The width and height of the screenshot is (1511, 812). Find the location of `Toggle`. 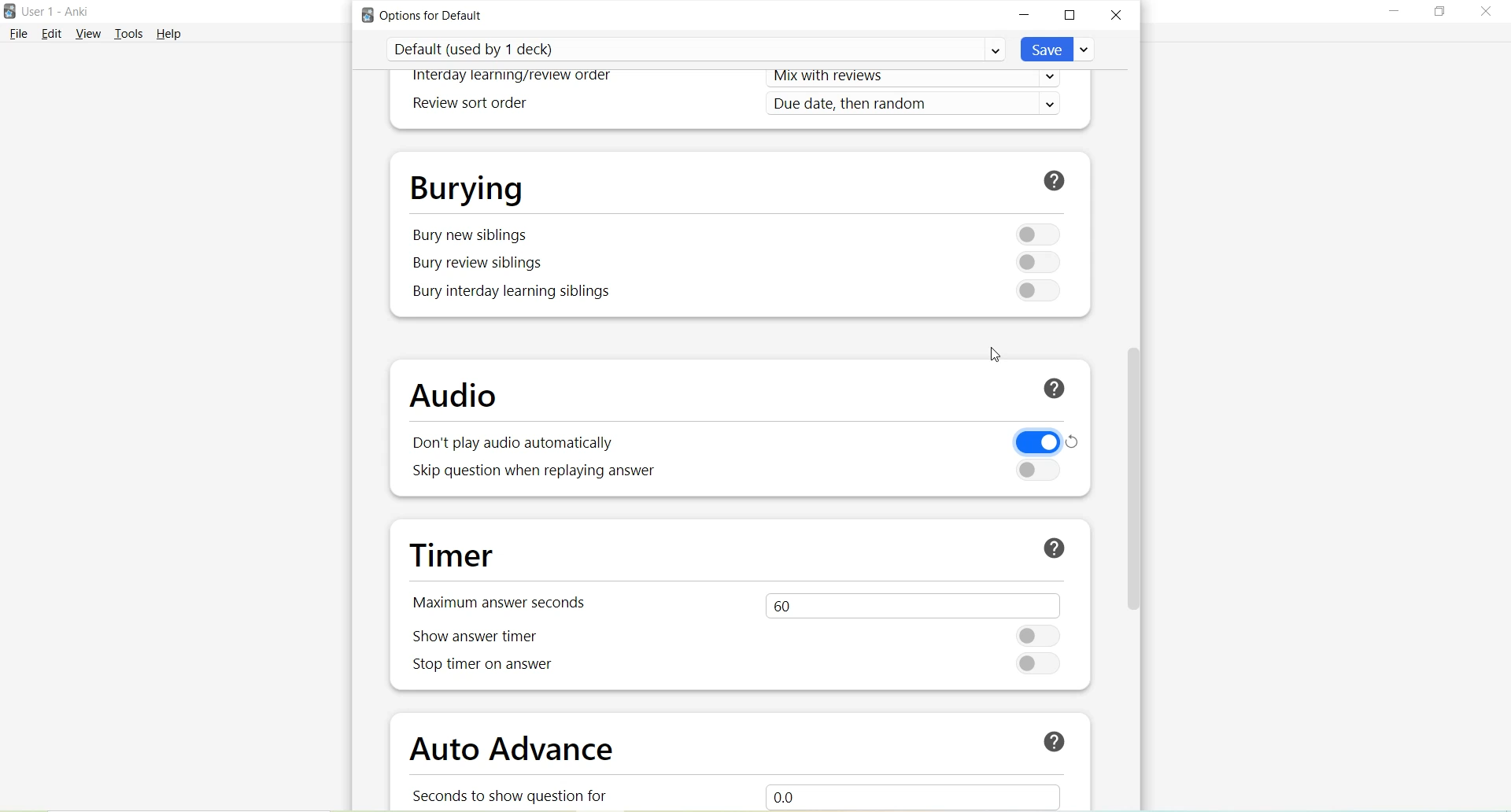

Toggle is located at coordinates (1036, 470).